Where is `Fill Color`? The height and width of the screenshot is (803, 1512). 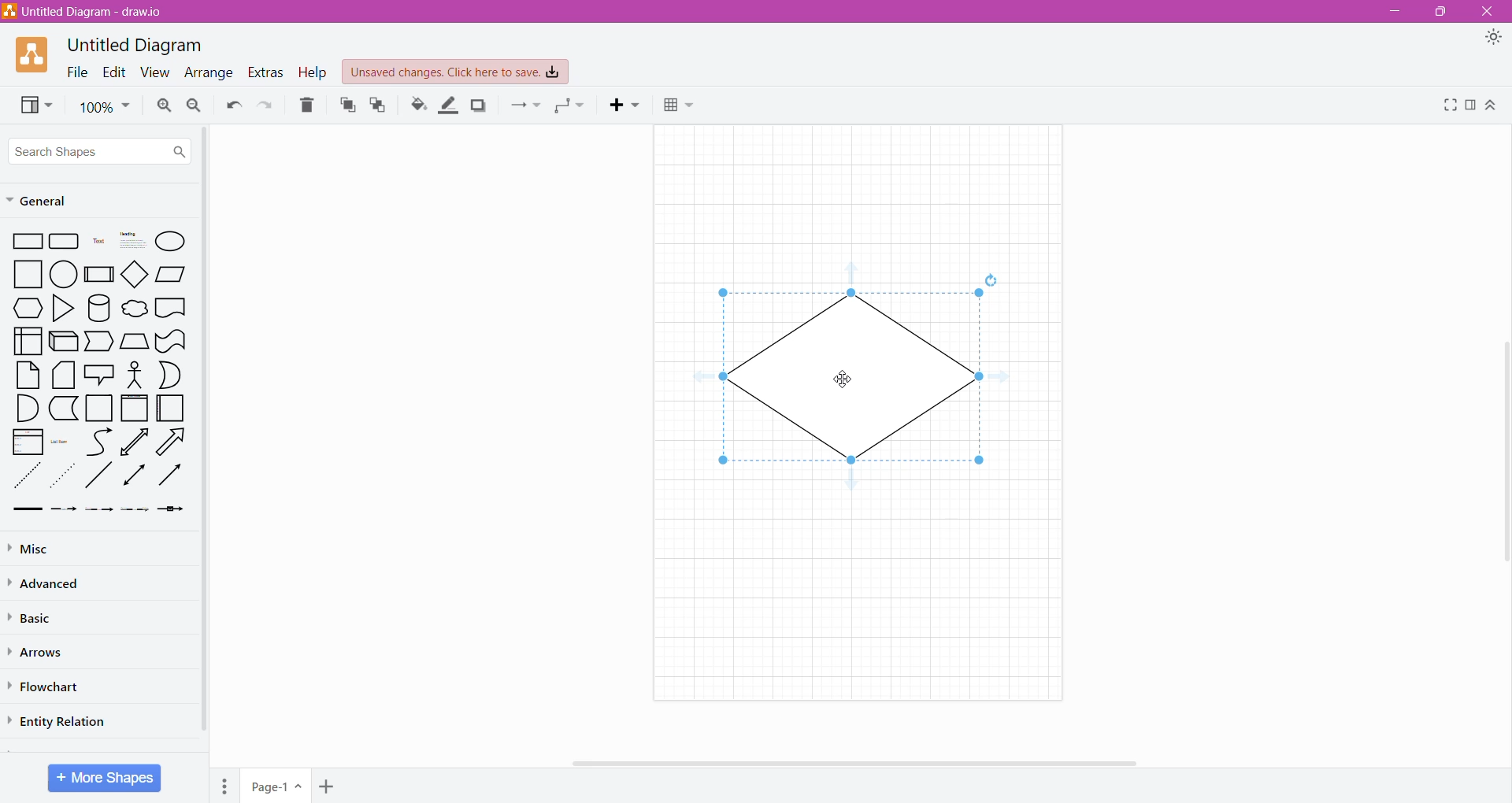 Fill Color is located at coordinates (417, 105).